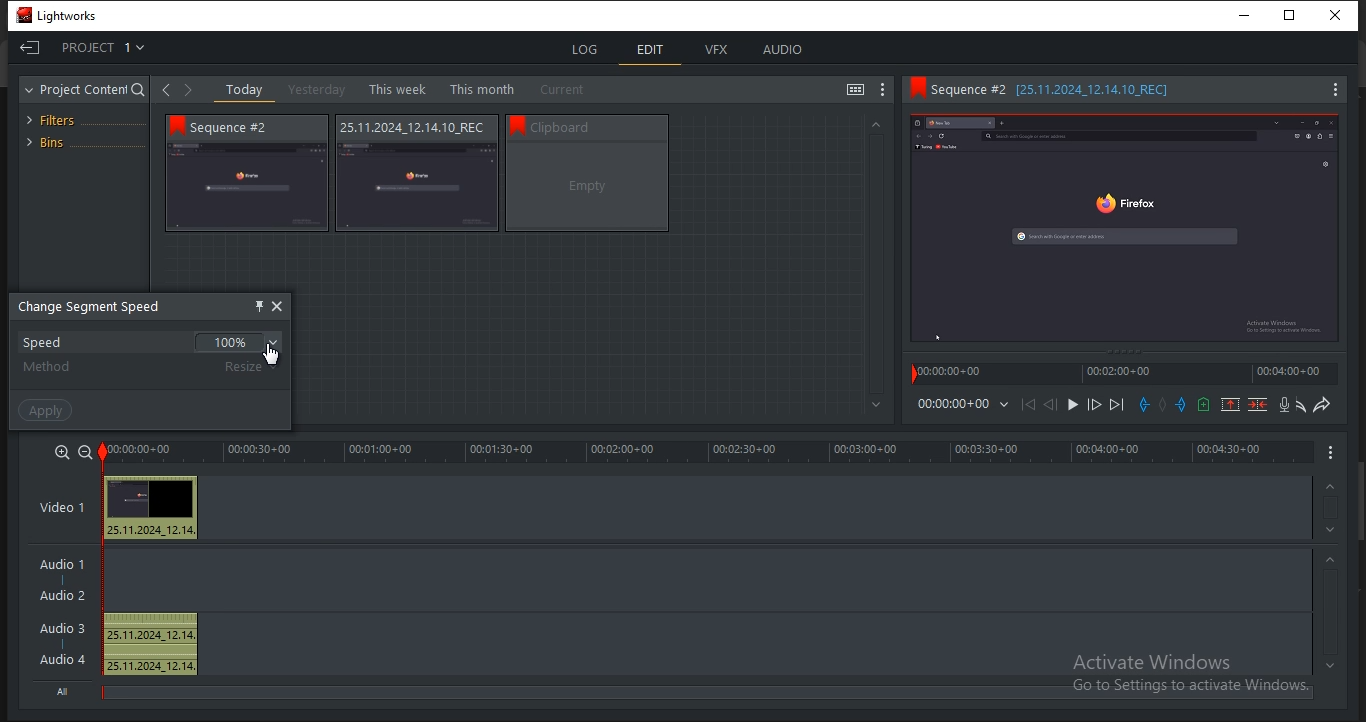  I want to click on bookmark, so click(517, 124).